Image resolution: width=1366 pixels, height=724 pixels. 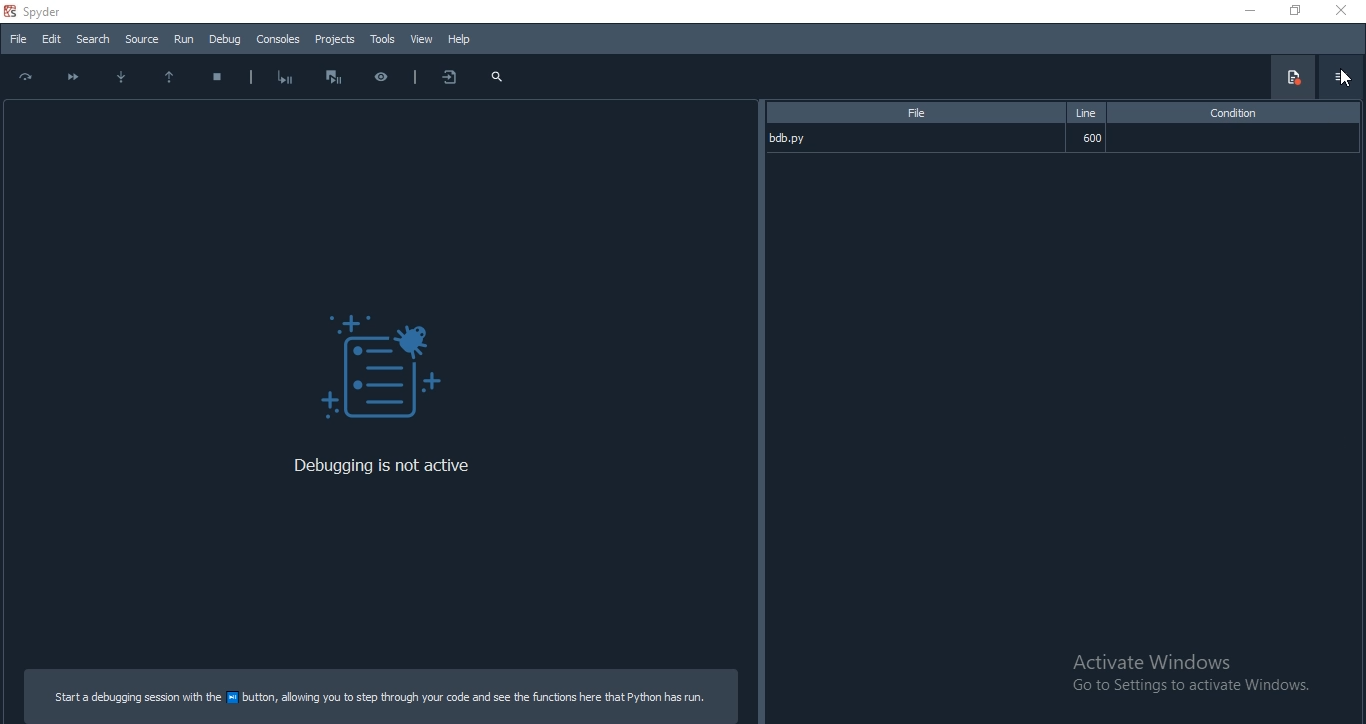 I want to click on Consoles, so click(x=278, y=38).